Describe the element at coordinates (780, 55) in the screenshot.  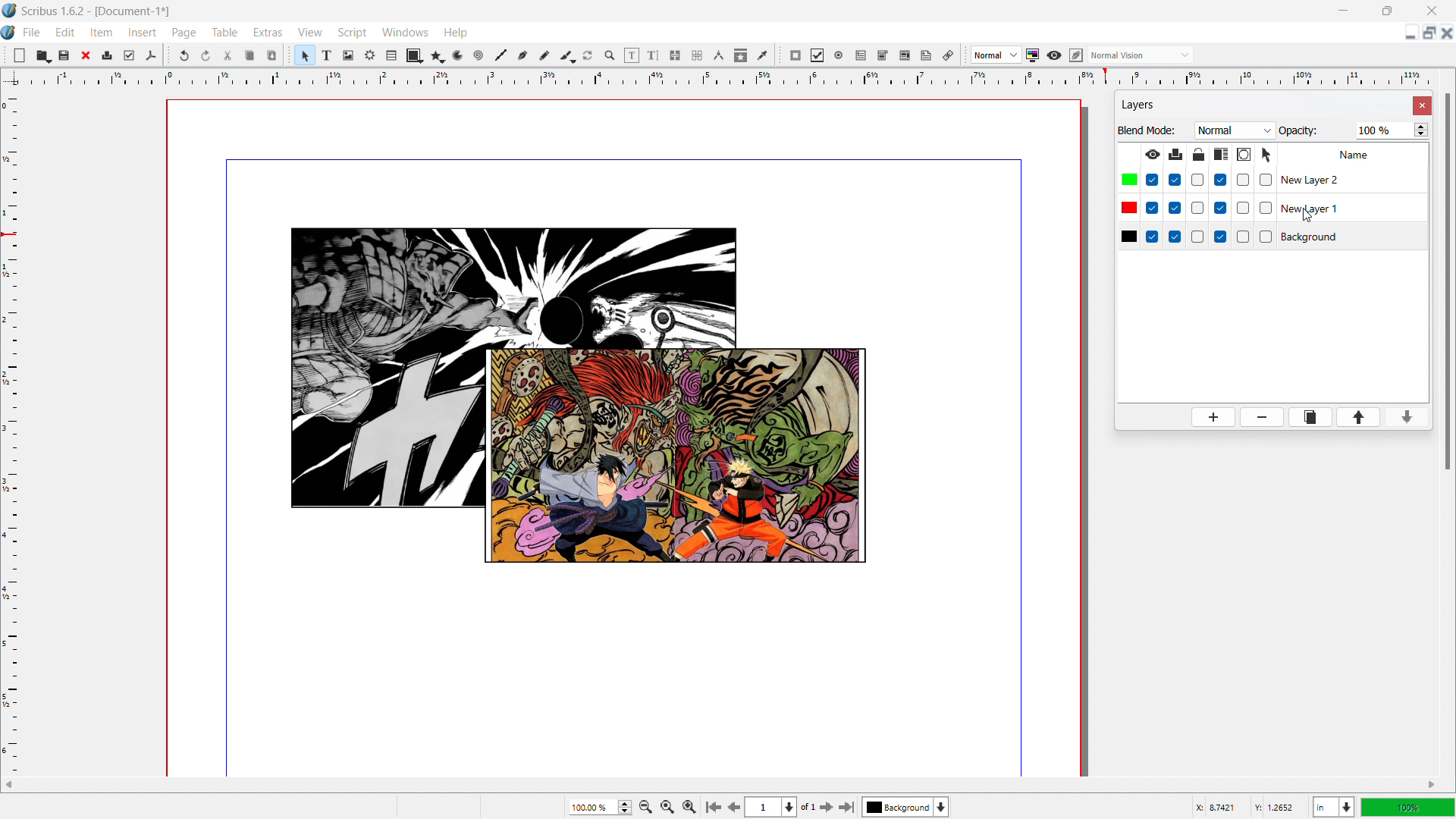
I see `move toolbox` at that location.